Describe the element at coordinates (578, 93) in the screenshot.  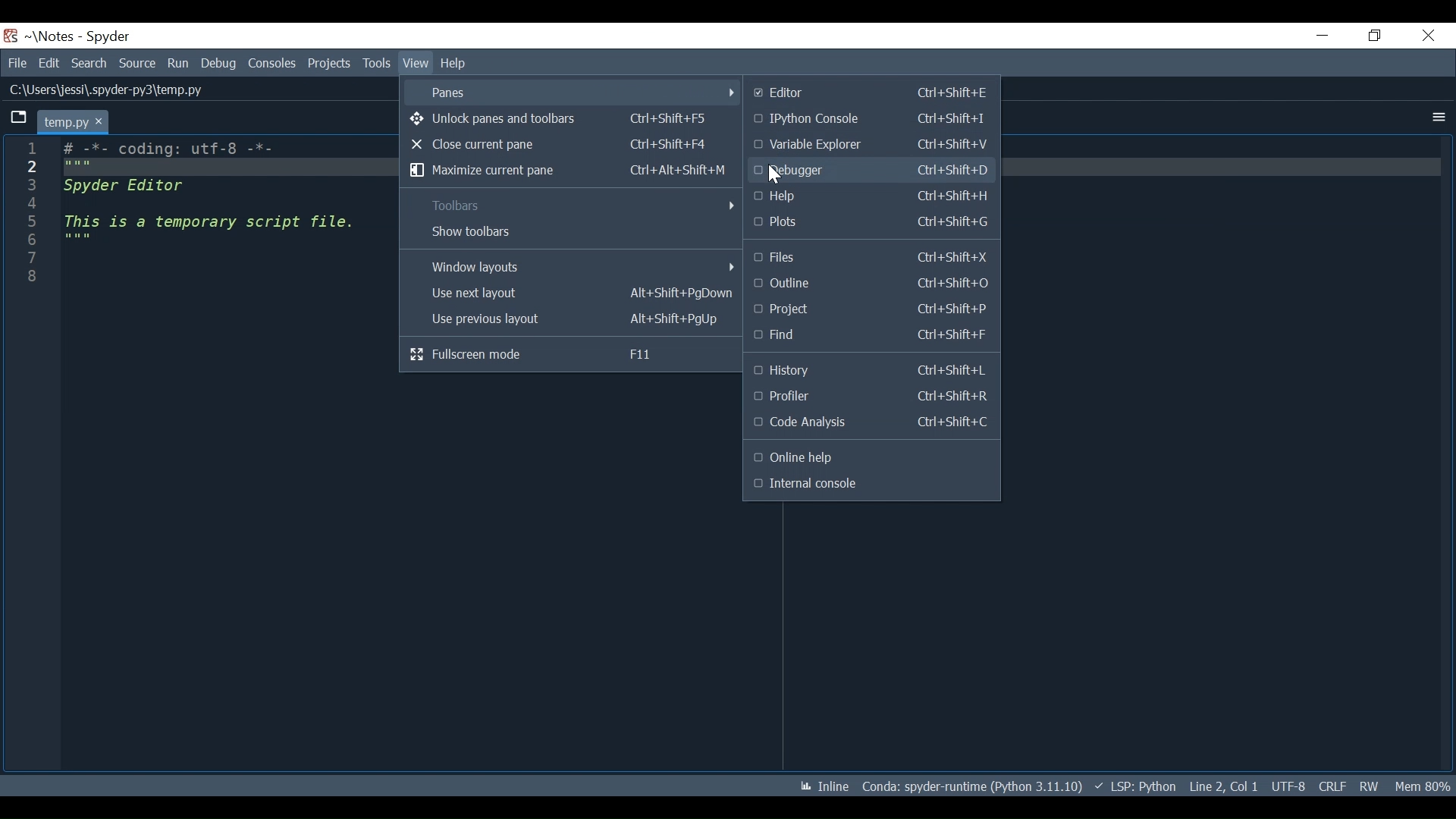
I see `Panes ` at that location.